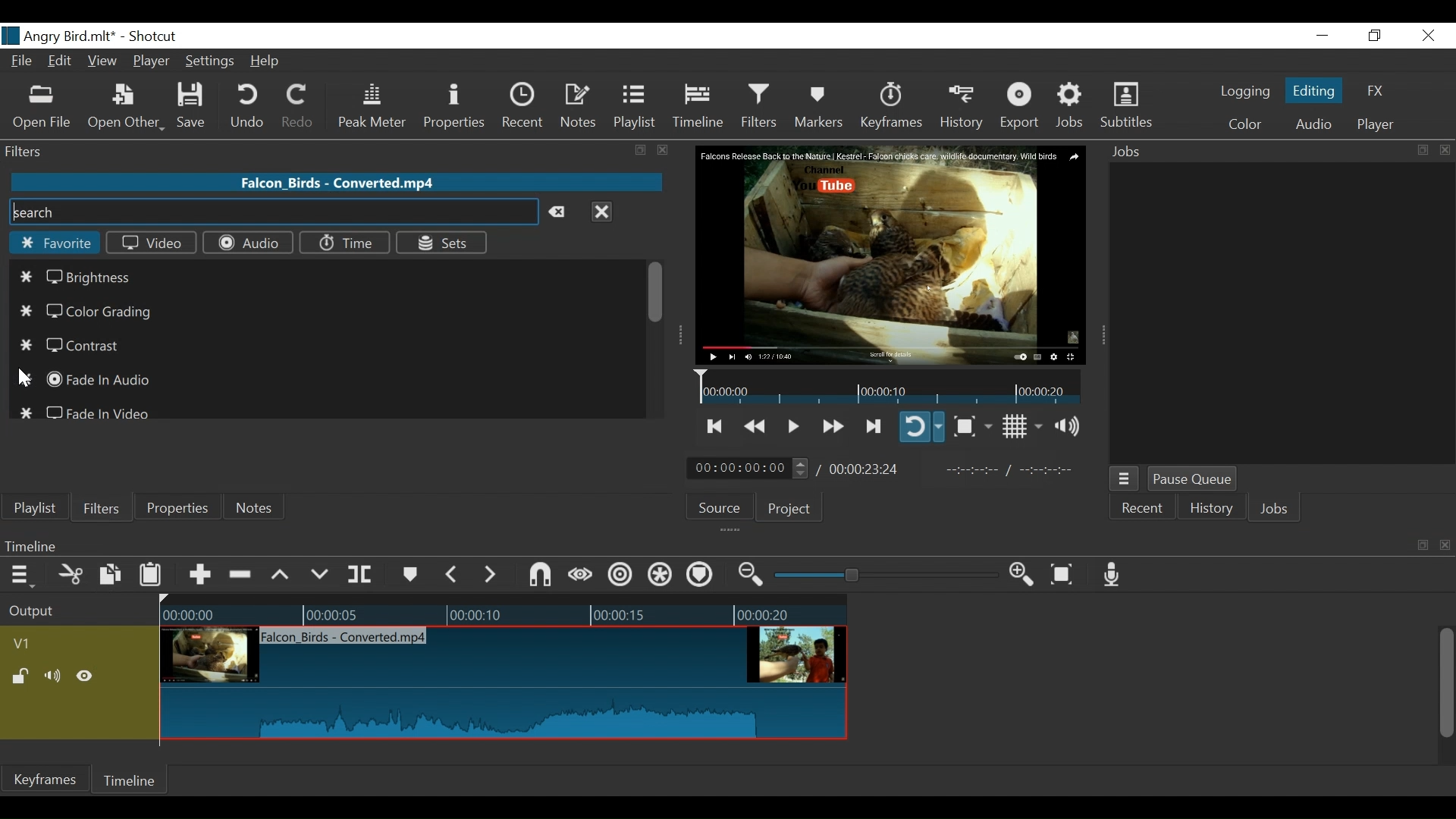 Image resolution: width=1456 pixels, height=819 pixels. What do you see at coordinates (661, 576) in the screenshot?
I see `Ripple all tracks` at bounding box center [661, 576].